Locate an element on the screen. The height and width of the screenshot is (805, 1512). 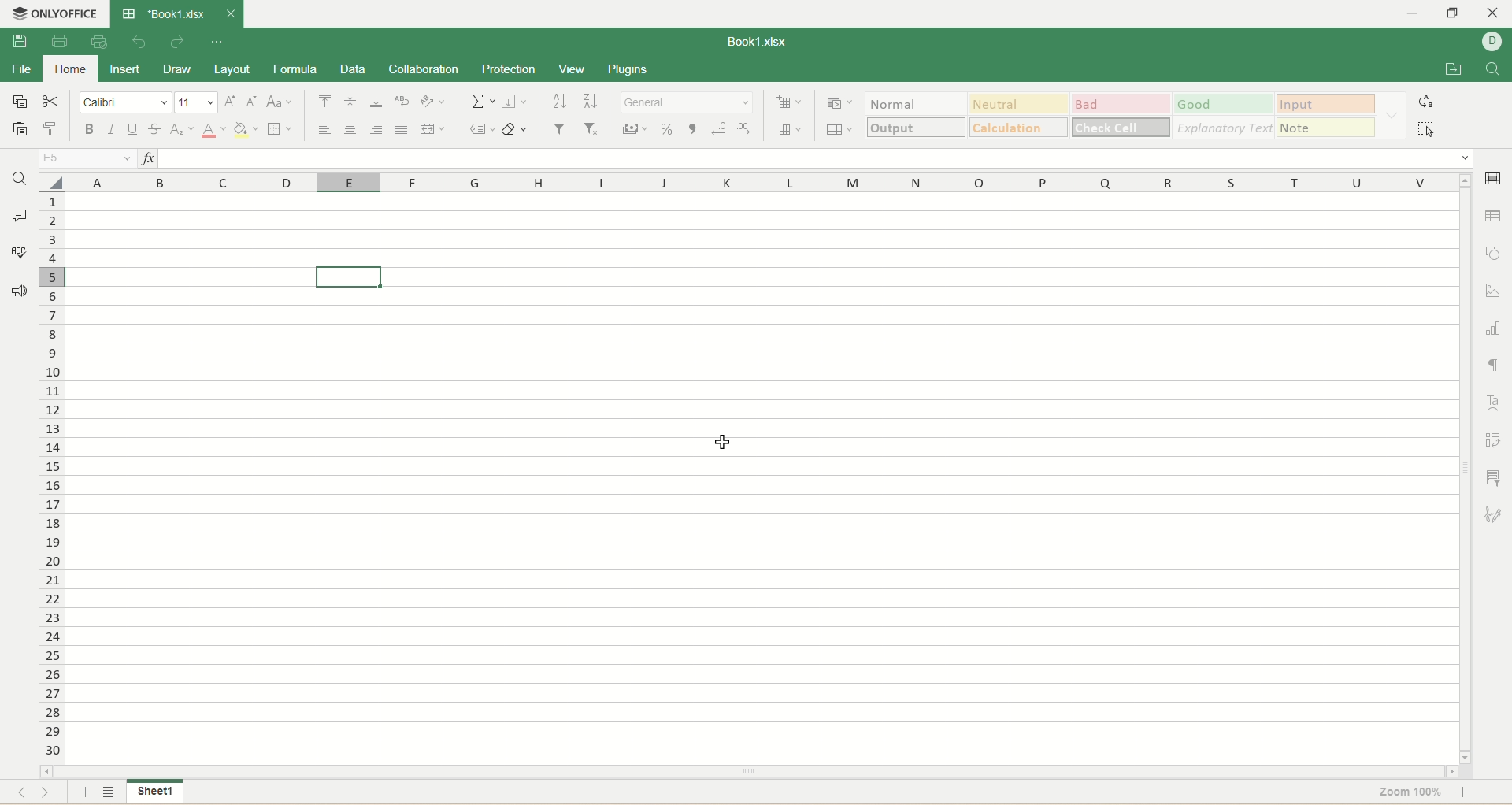
save is located at coordinates (20, 43).